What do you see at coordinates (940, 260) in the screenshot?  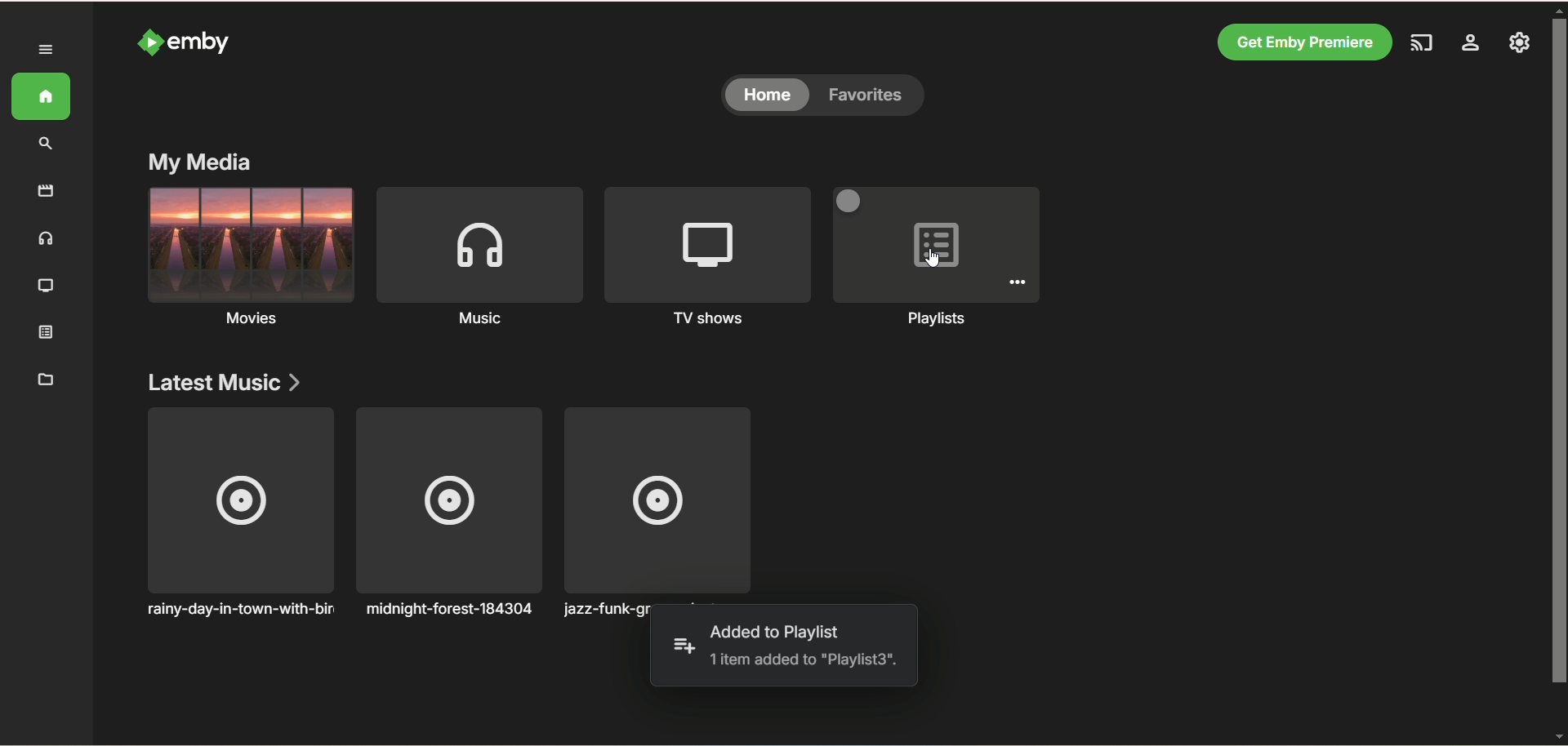 I see `playlists` at bounding box center [940, 260].